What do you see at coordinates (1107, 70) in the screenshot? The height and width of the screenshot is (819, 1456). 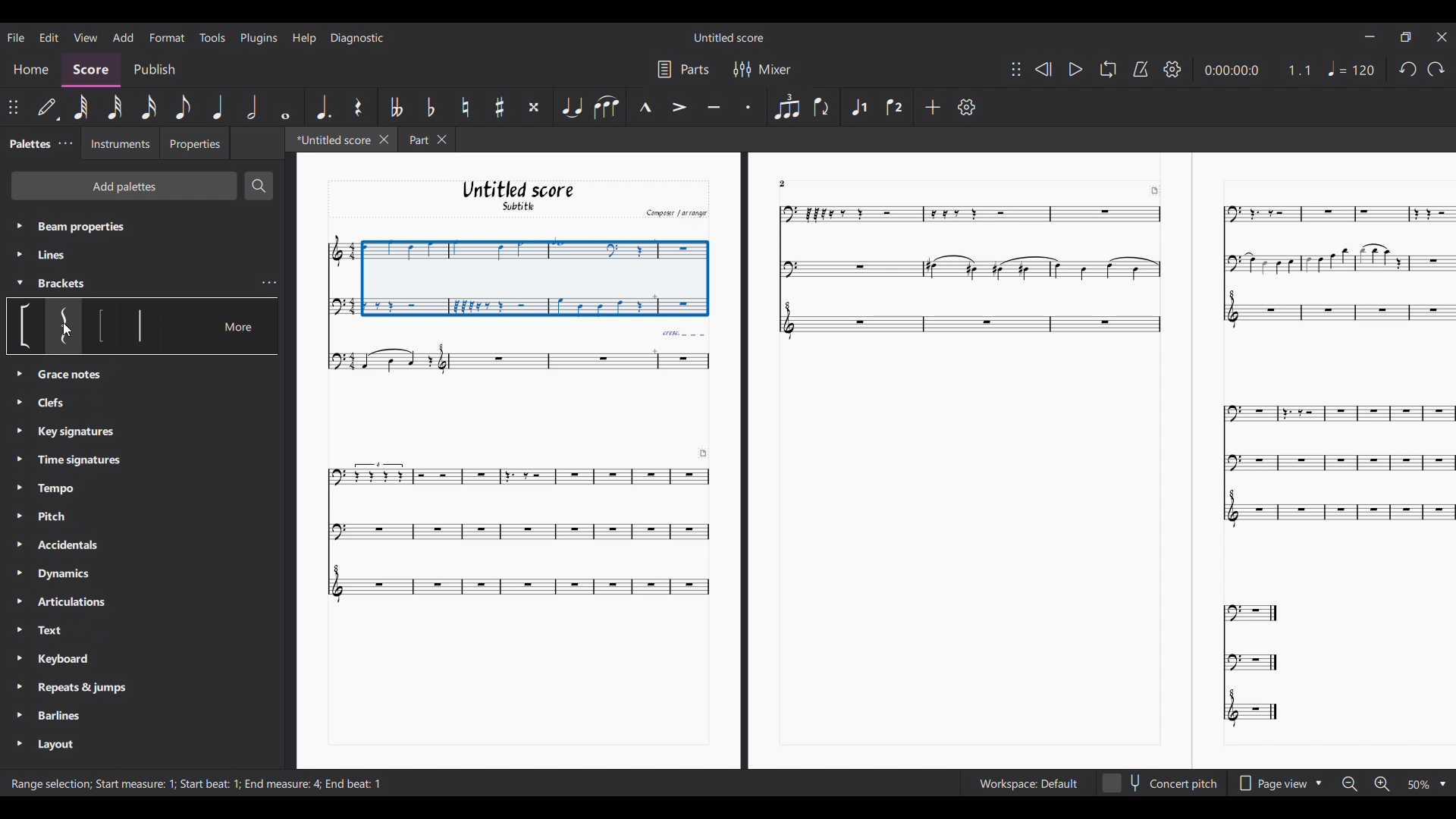 I see `Loop playback` at bounding box center [1107, 70].